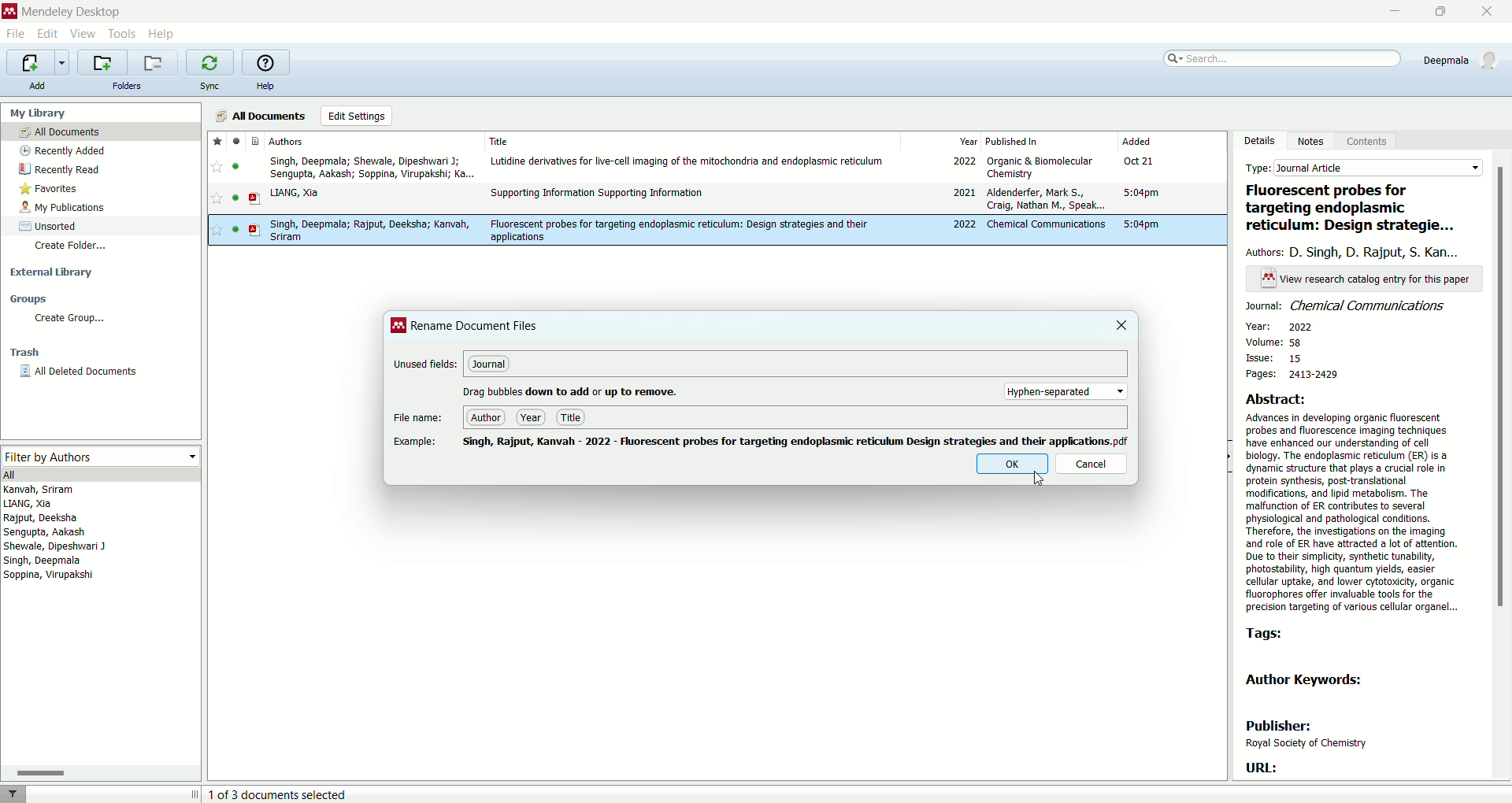 Image resolution: width=1512 pixels, height=803 pixels. Describe the element at coordinates (59, 169) in the screenshot. I see `recently read` at that location.